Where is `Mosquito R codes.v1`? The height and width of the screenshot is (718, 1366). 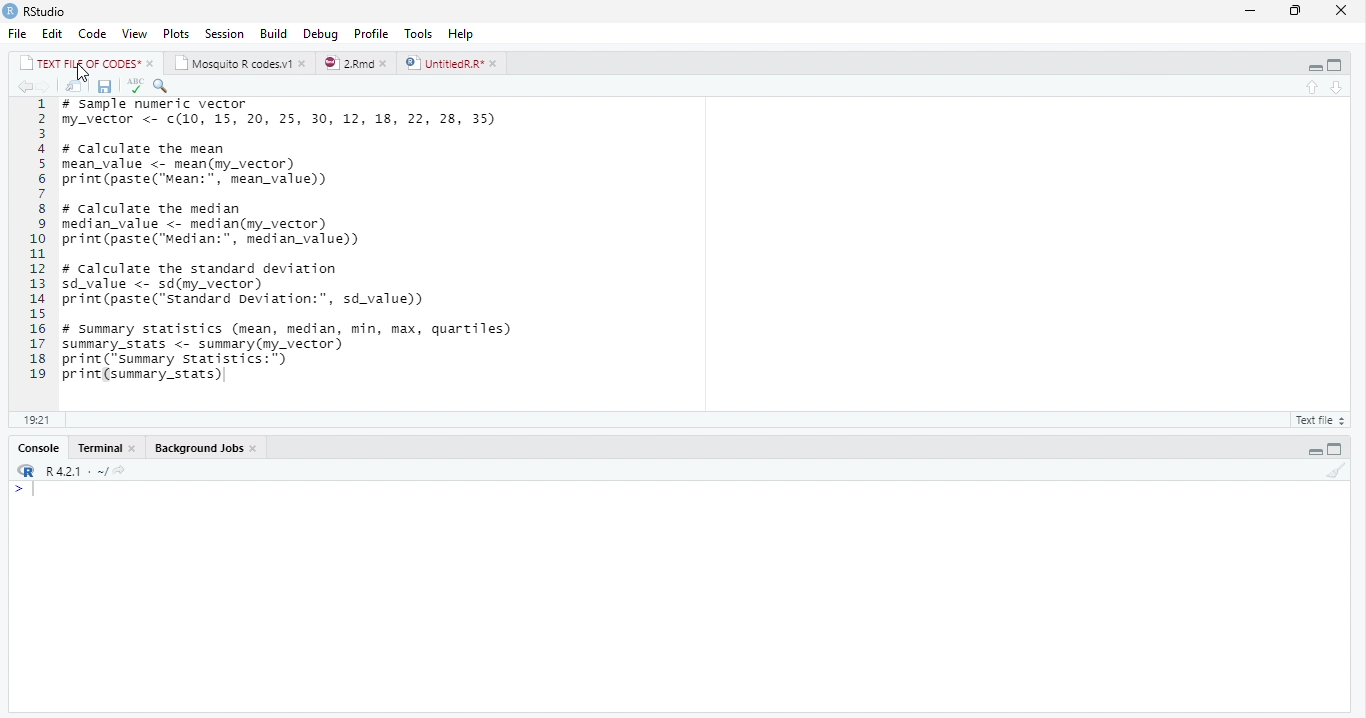 Mosquito R codes.v1 is located at coordinates (235, 64).